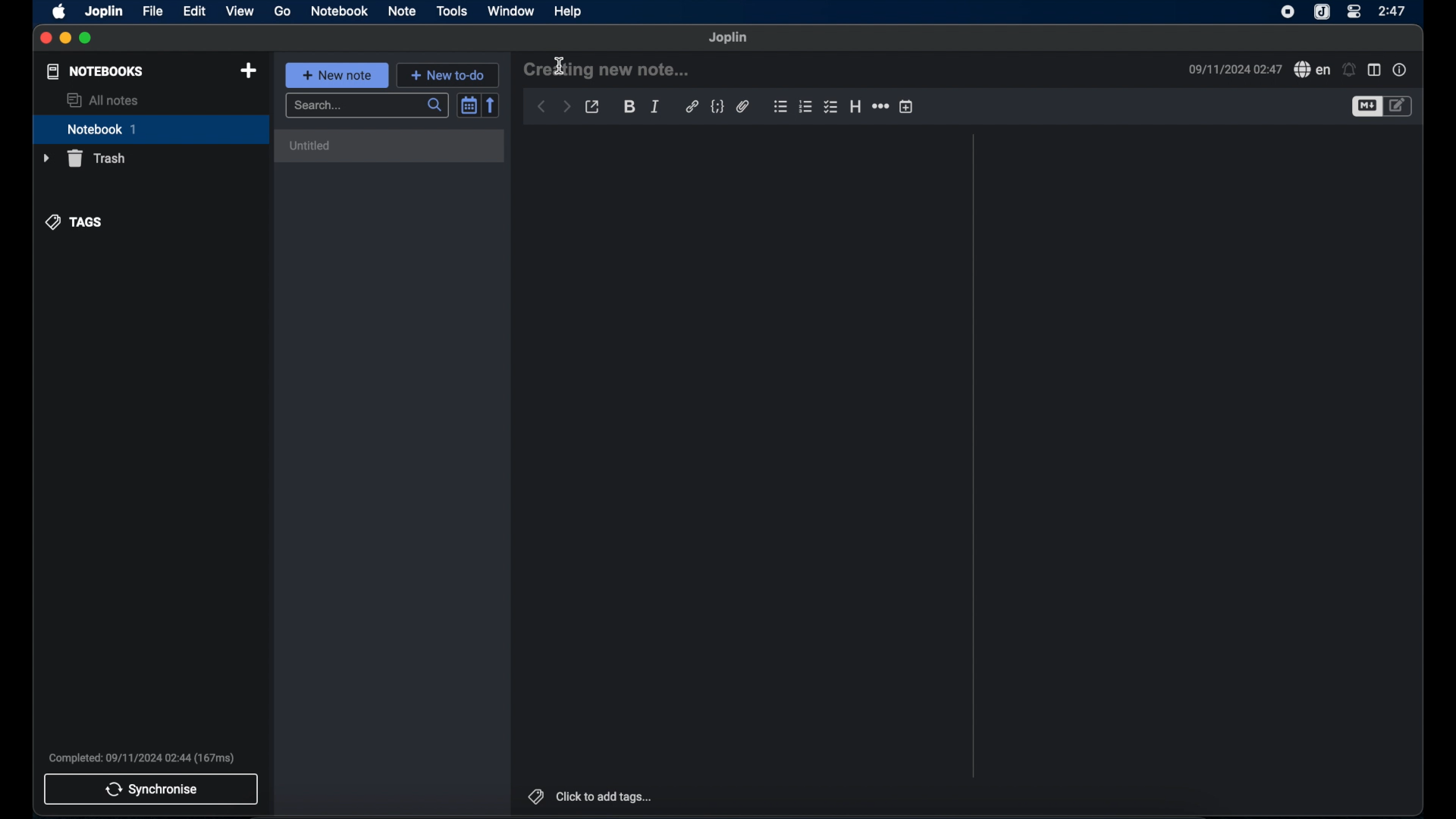  What do you see at coordinates (73, 221) in the screenshot?
I see `tags` at bounding box center [73, 221].